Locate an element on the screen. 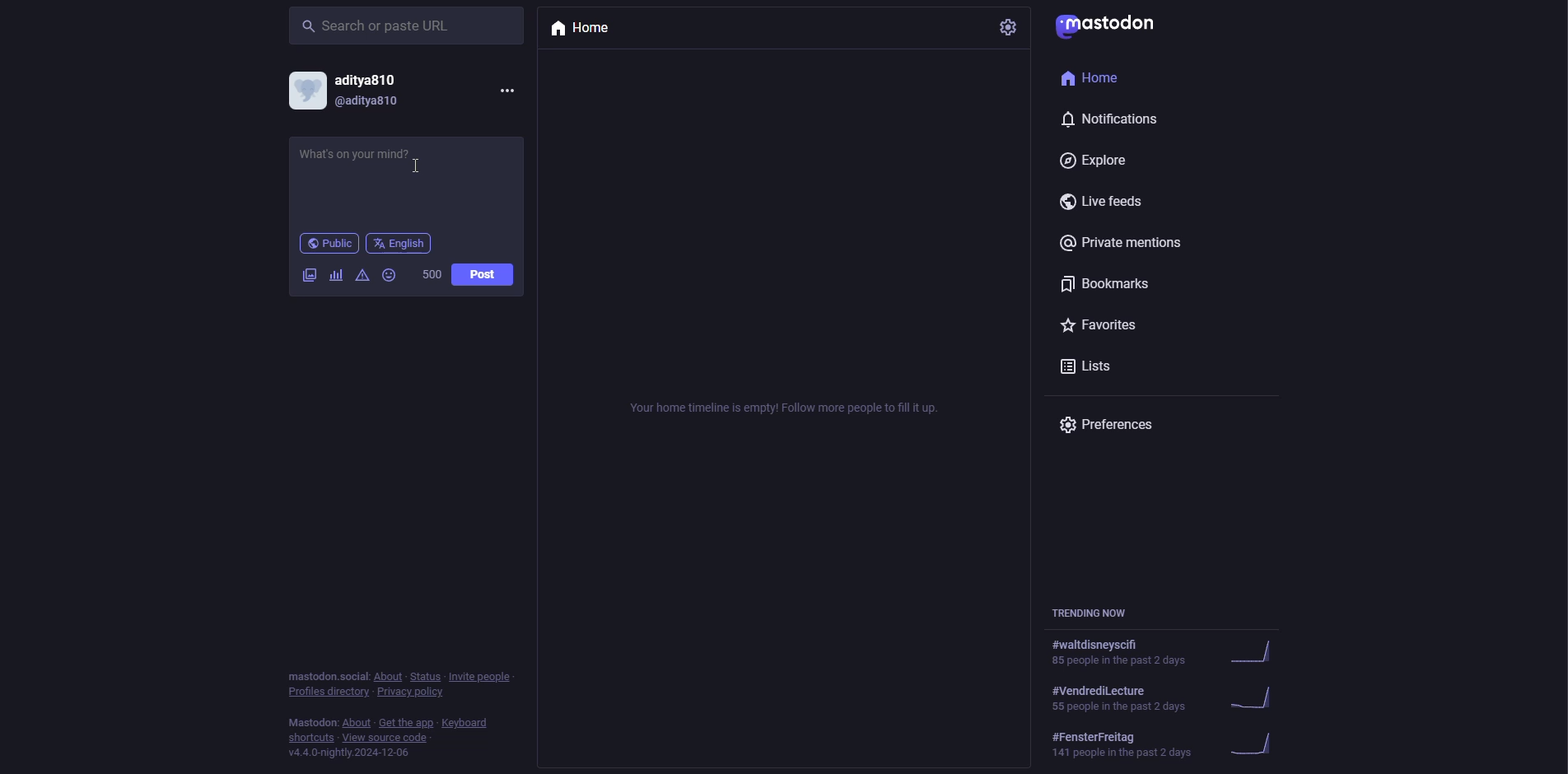  preferences is located at coordinates (1112, 427).